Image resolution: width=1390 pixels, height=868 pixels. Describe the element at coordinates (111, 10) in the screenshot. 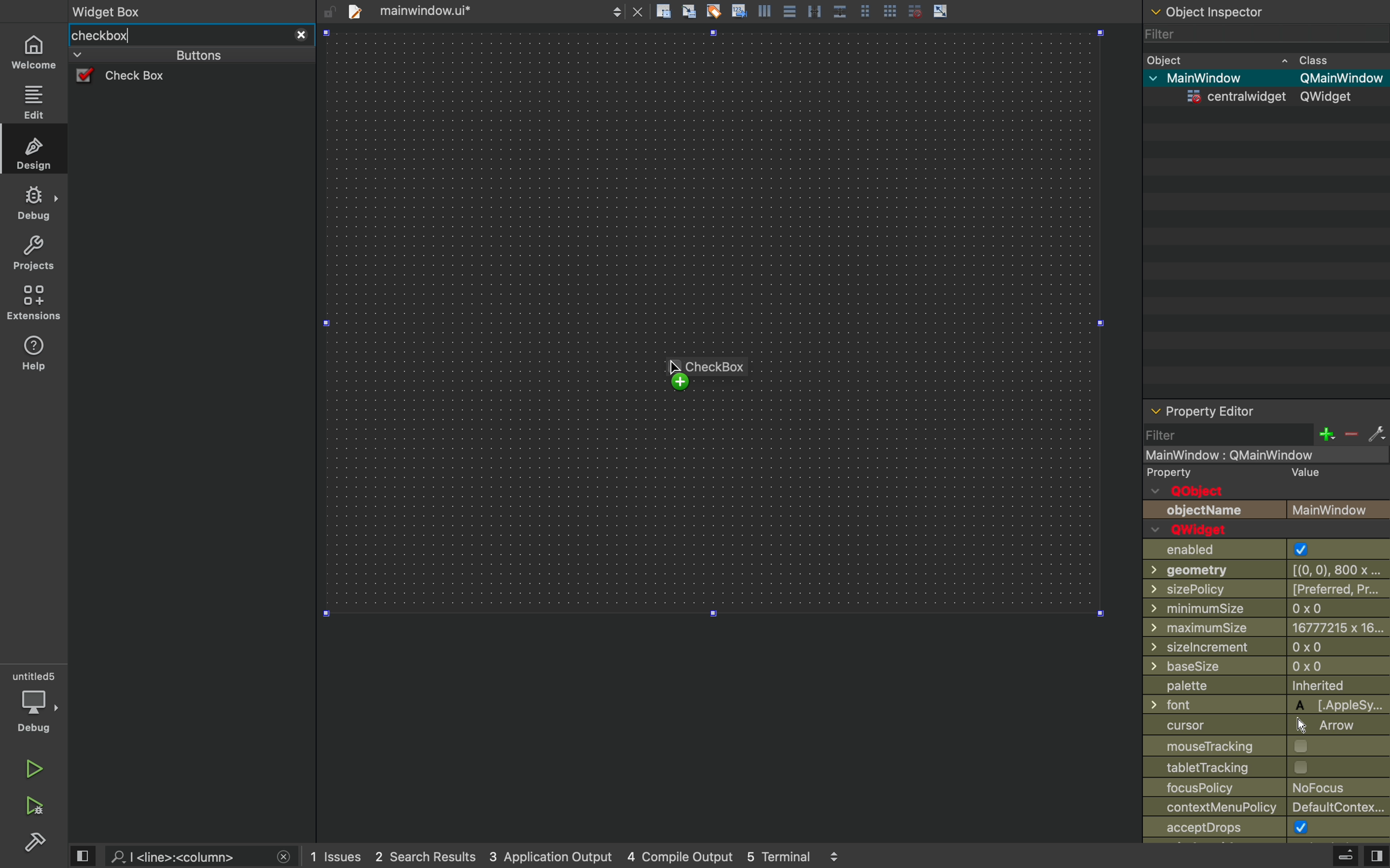

I see `Widget Box` at that location.